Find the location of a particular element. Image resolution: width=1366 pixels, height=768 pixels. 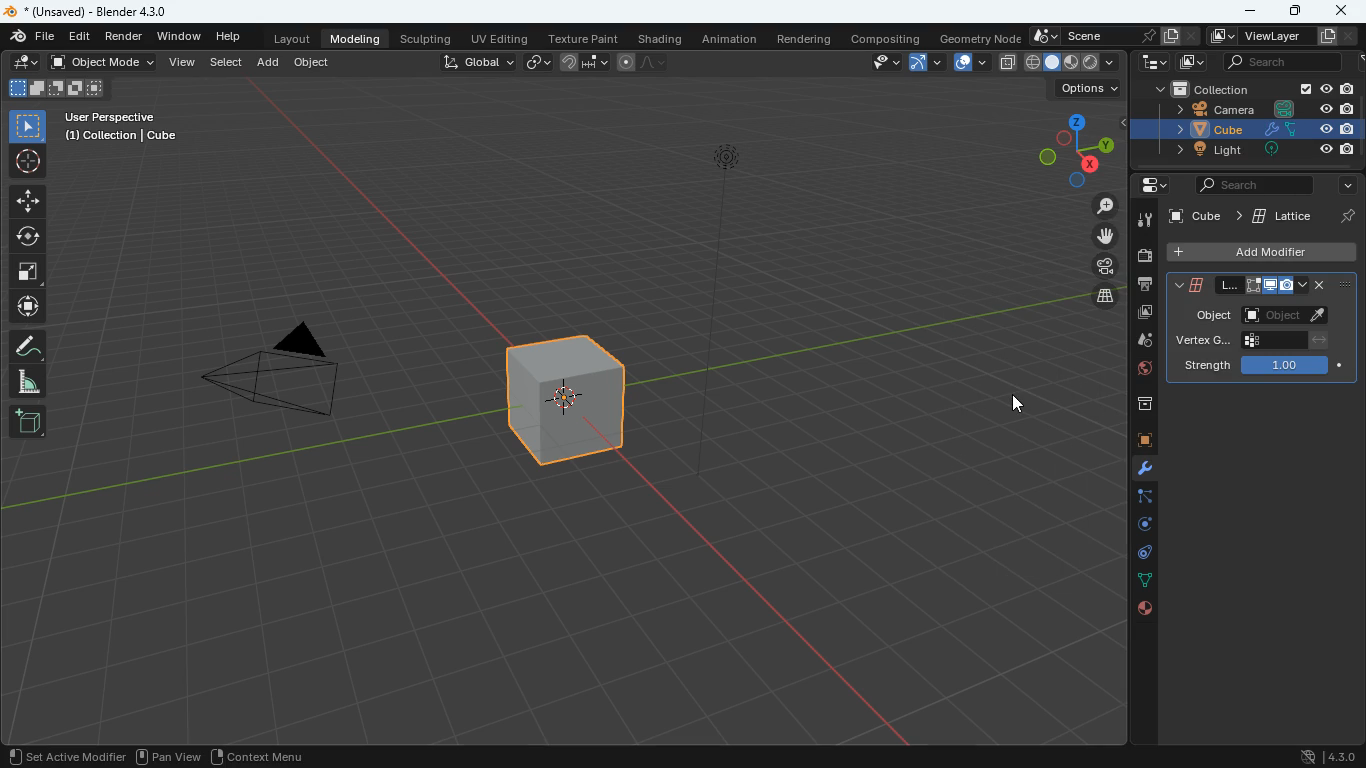

control is located at coordinates (1140, 555).